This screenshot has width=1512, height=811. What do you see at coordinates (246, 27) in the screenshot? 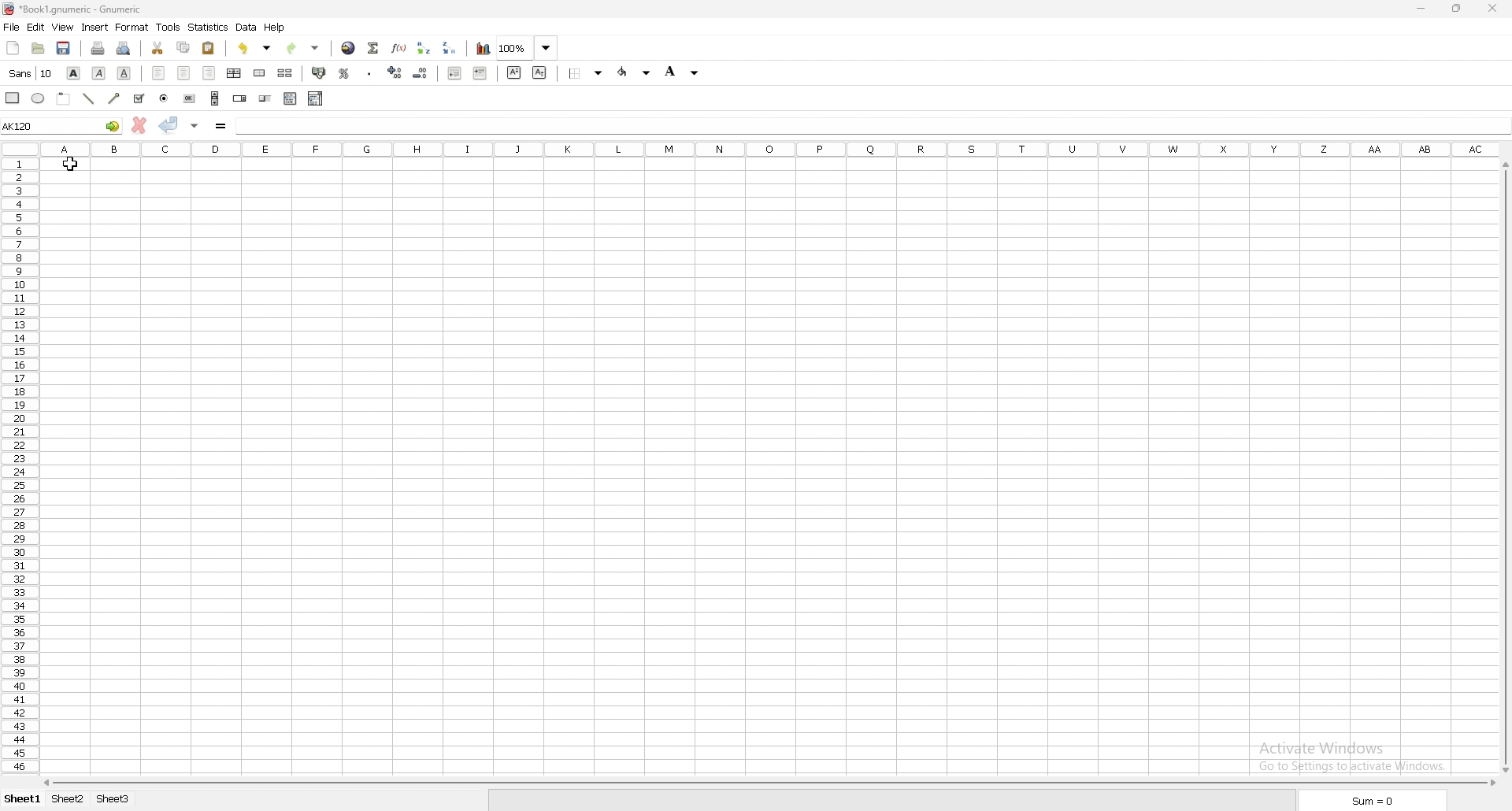
I see `data` at bounding box center [246, 27].